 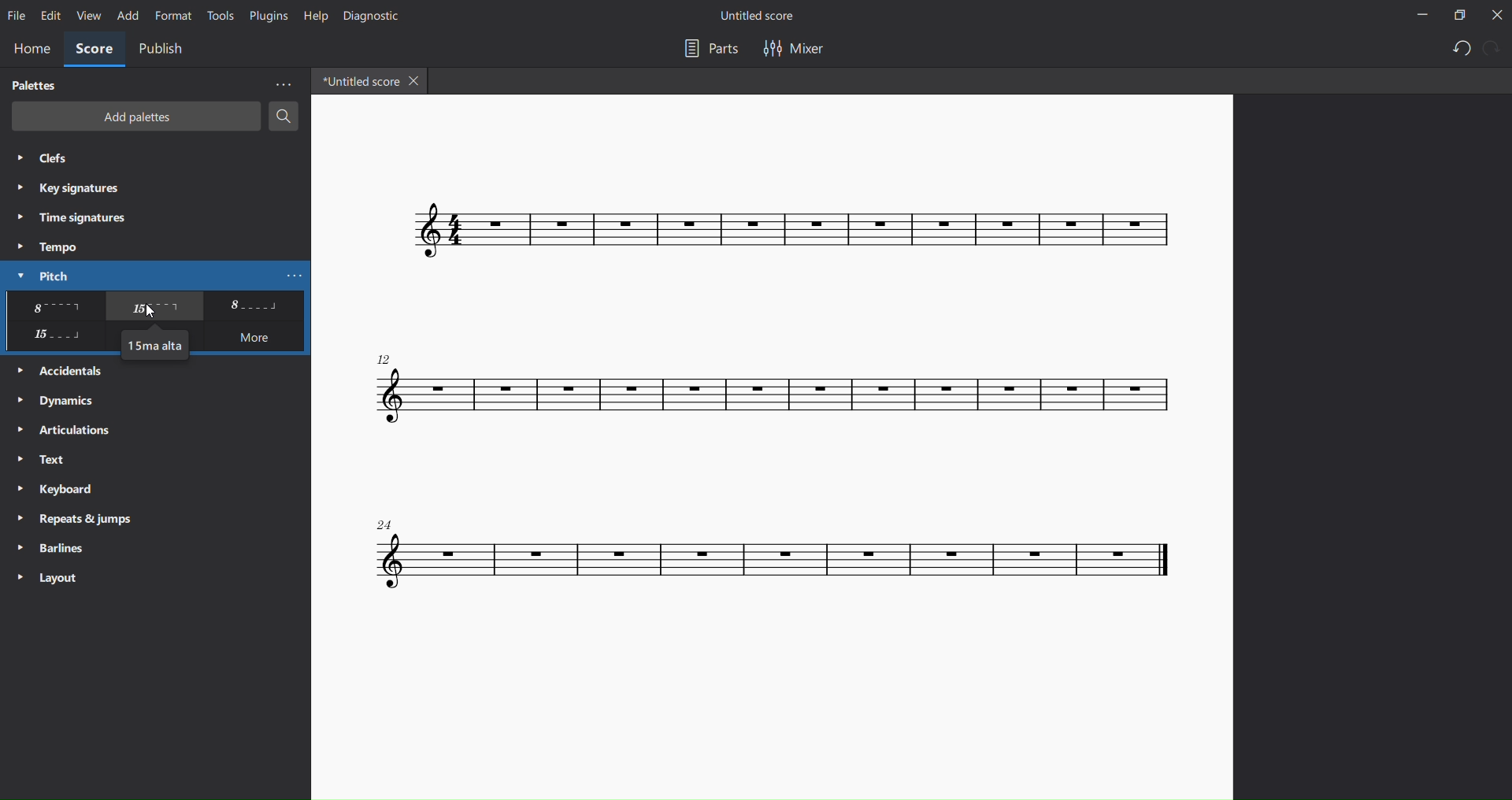 What do you see at coordinates (154, 344) in the screenshot?
I see `15ma alta` at bounding box center [154, 344].